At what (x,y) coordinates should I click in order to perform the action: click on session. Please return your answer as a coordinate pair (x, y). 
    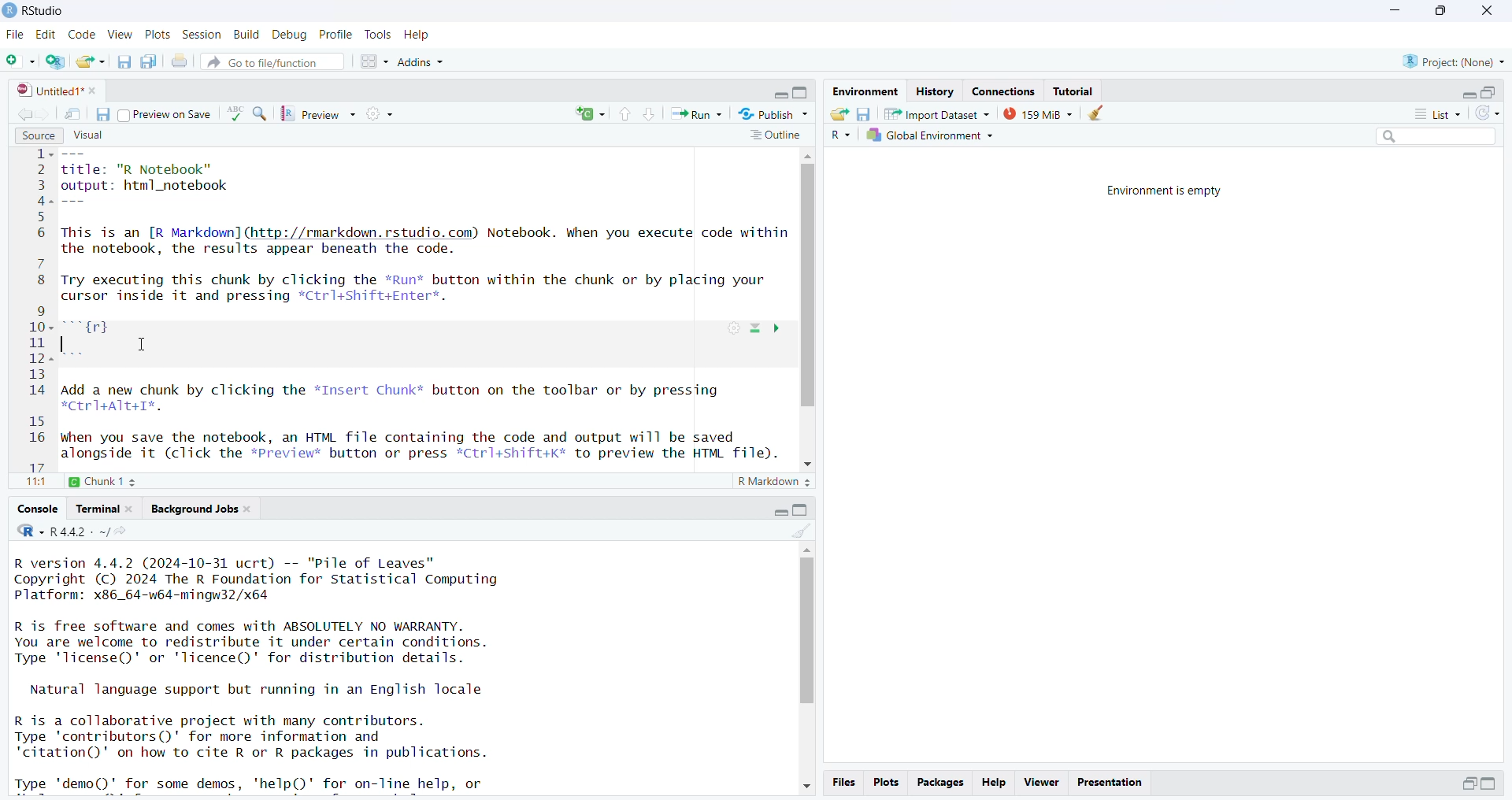
    Looking at the image, I should click on (202, 35).